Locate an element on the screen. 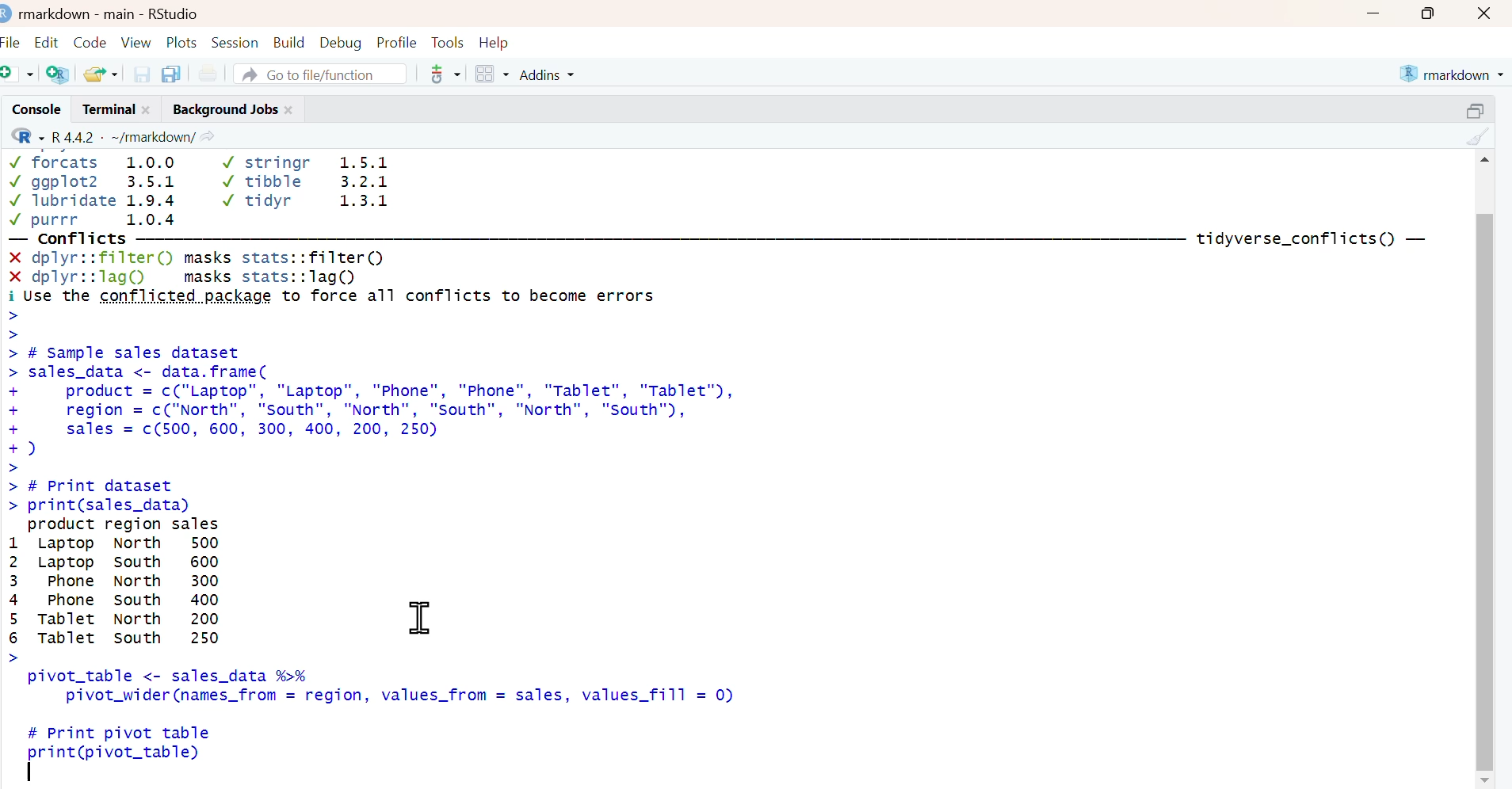 The image size is (1512, 789). R 4.4.2 is located at coordinates (74, 135).